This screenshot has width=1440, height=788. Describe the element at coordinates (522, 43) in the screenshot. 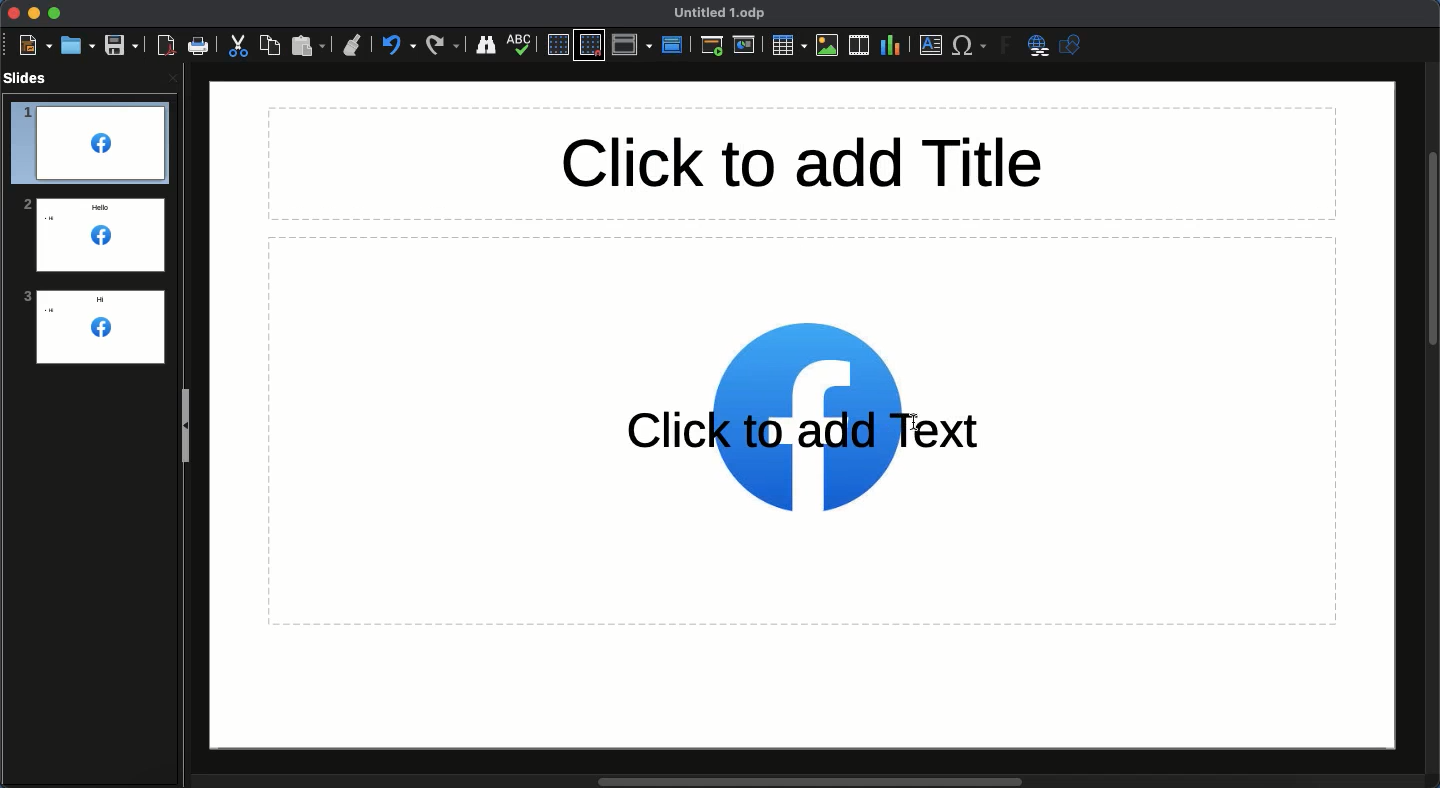

I see `Spelling` at that location.